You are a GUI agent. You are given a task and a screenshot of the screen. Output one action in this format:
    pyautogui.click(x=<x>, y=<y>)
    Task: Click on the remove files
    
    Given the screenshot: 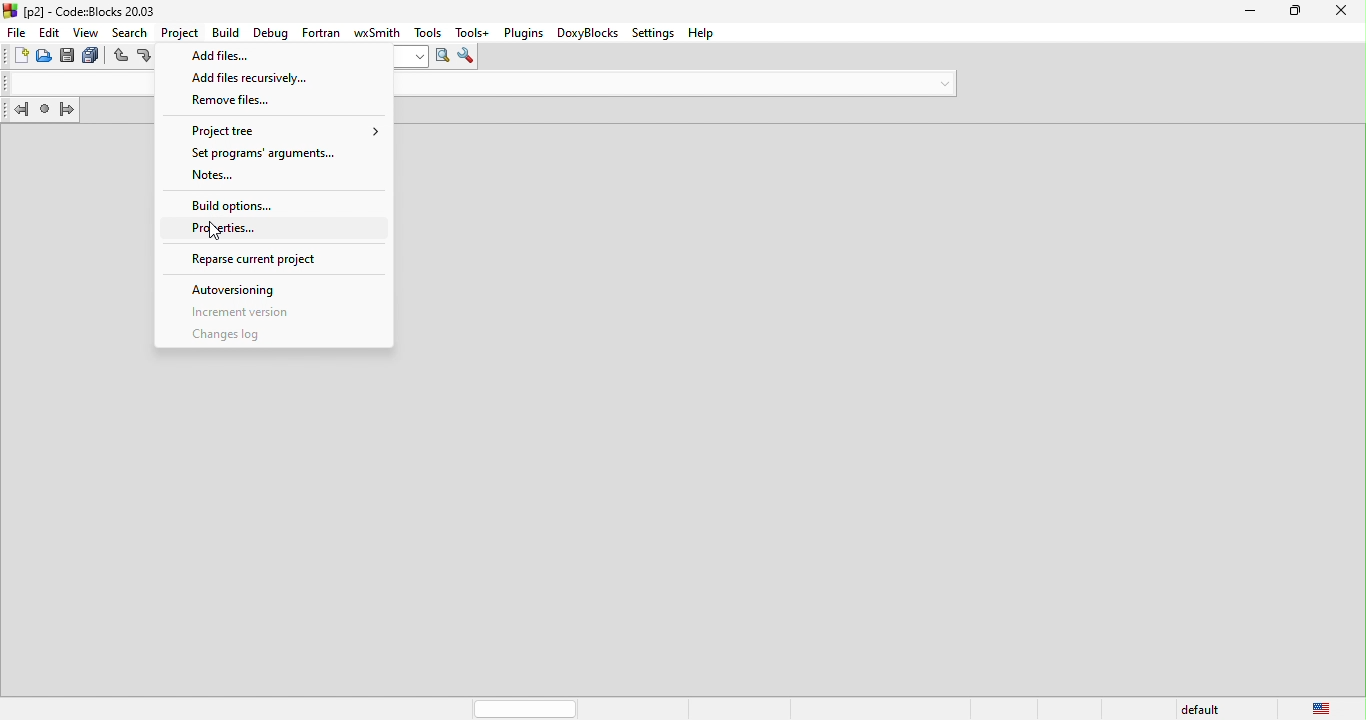 What is the action you would take?
    pyautogui.click(x=274, y=100)
    